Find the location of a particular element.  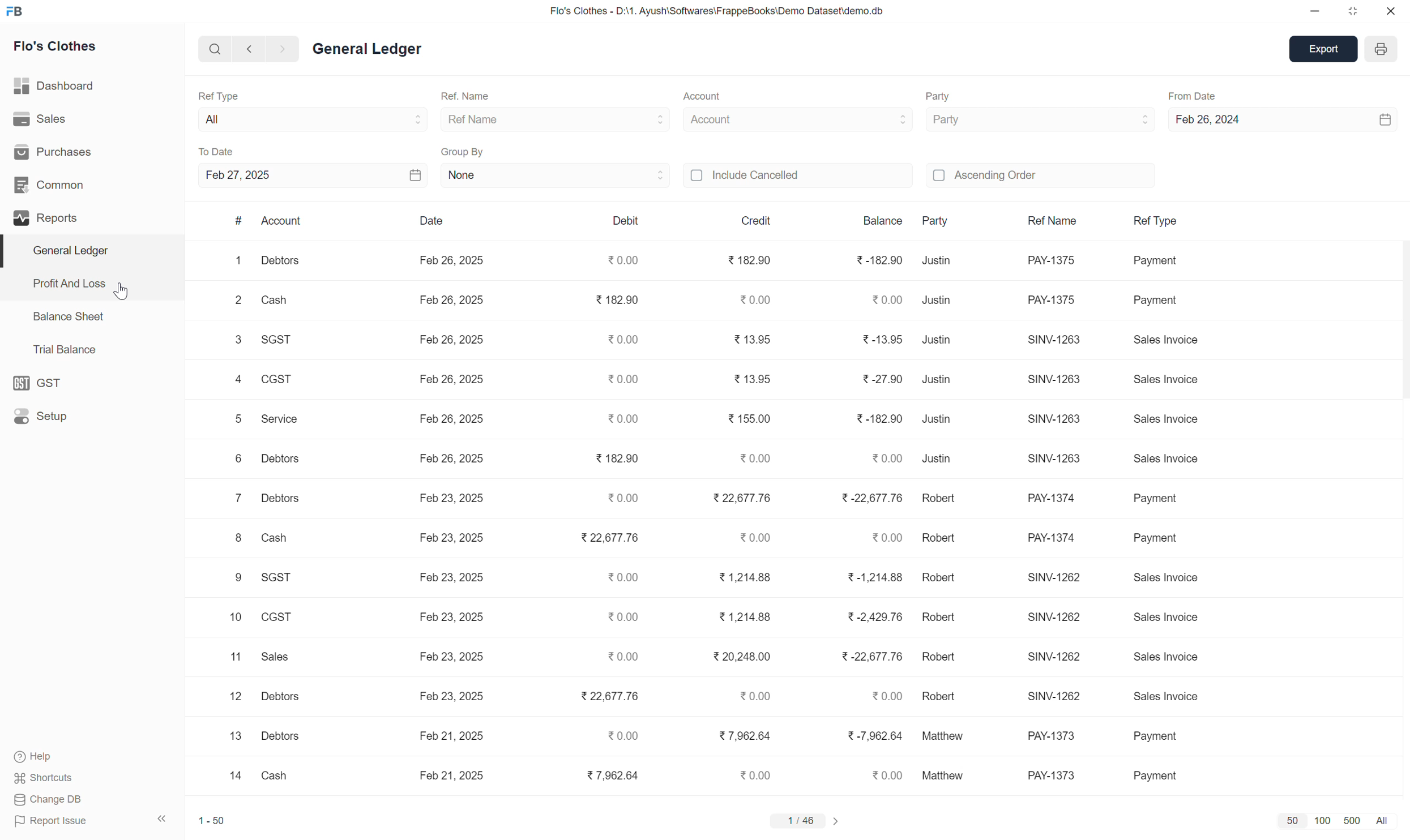

PAY-1374 is located at coordinates (1056, 500).